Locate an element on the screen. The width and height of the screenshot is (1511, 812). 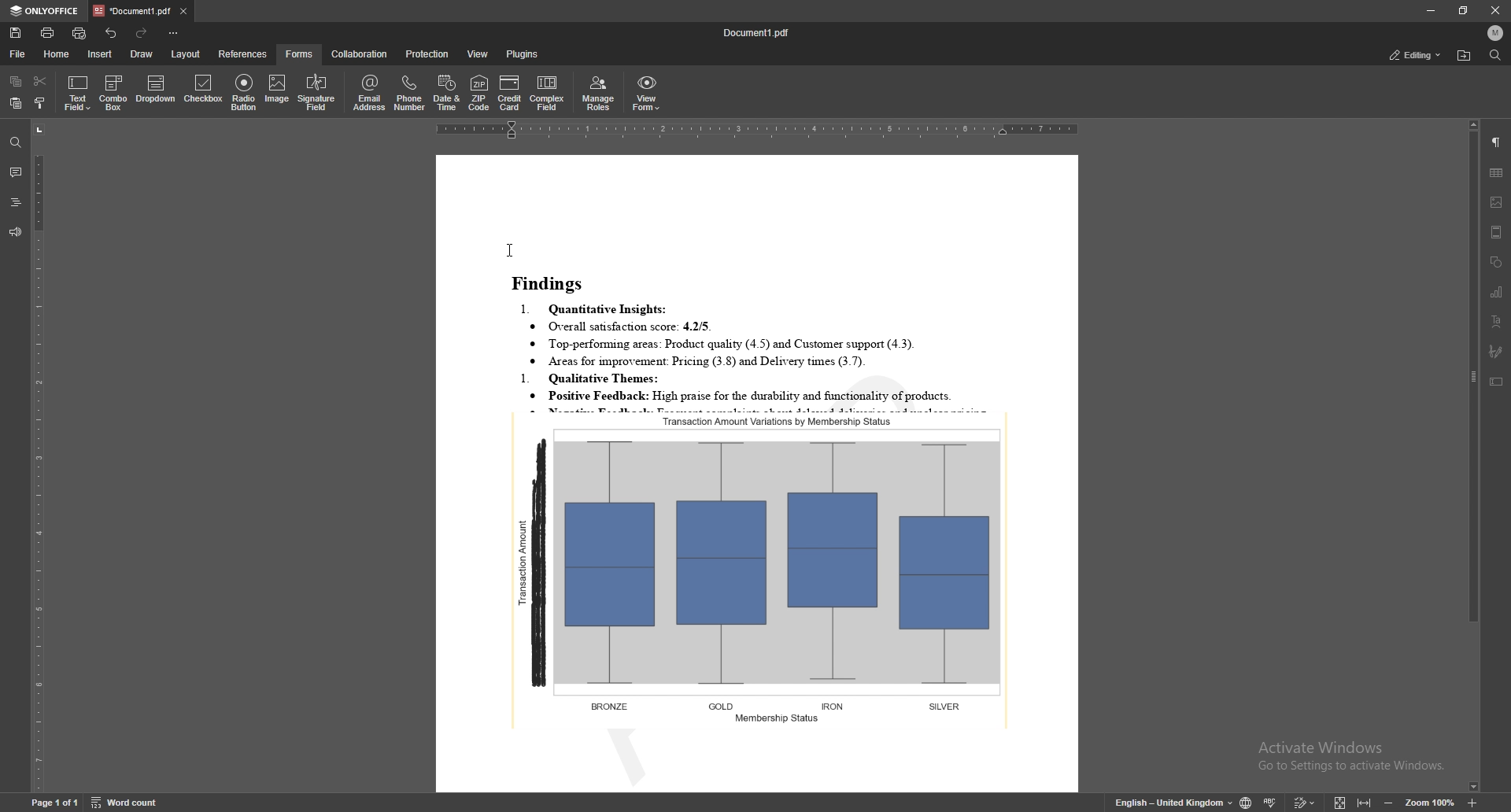
copy is located at coordinates (16, 82).